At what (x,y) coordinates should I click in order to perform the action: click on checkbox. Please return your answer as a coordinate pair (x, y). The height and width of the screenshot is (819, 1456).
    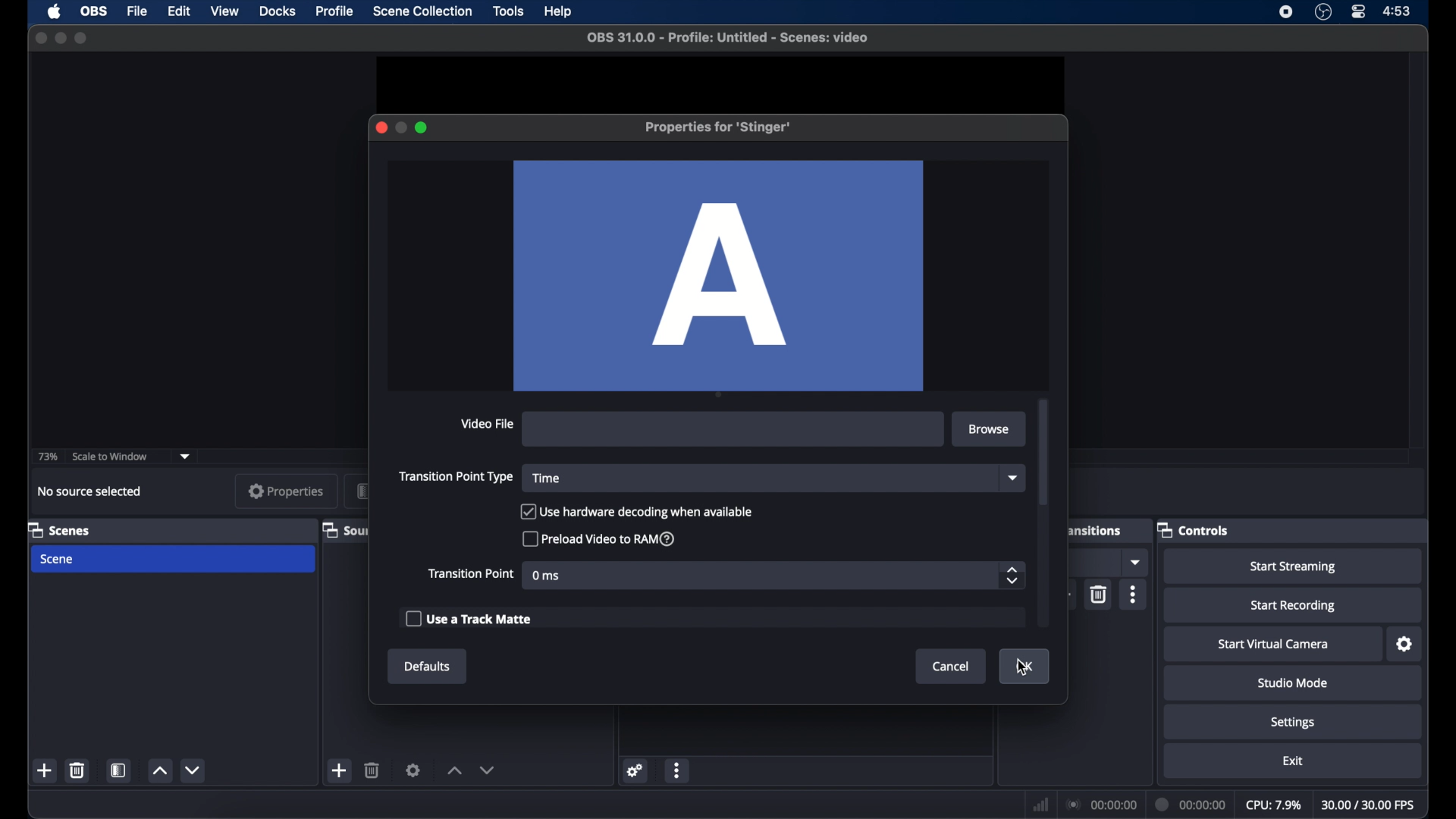
    Looking at the image, I should click on (600, 538).